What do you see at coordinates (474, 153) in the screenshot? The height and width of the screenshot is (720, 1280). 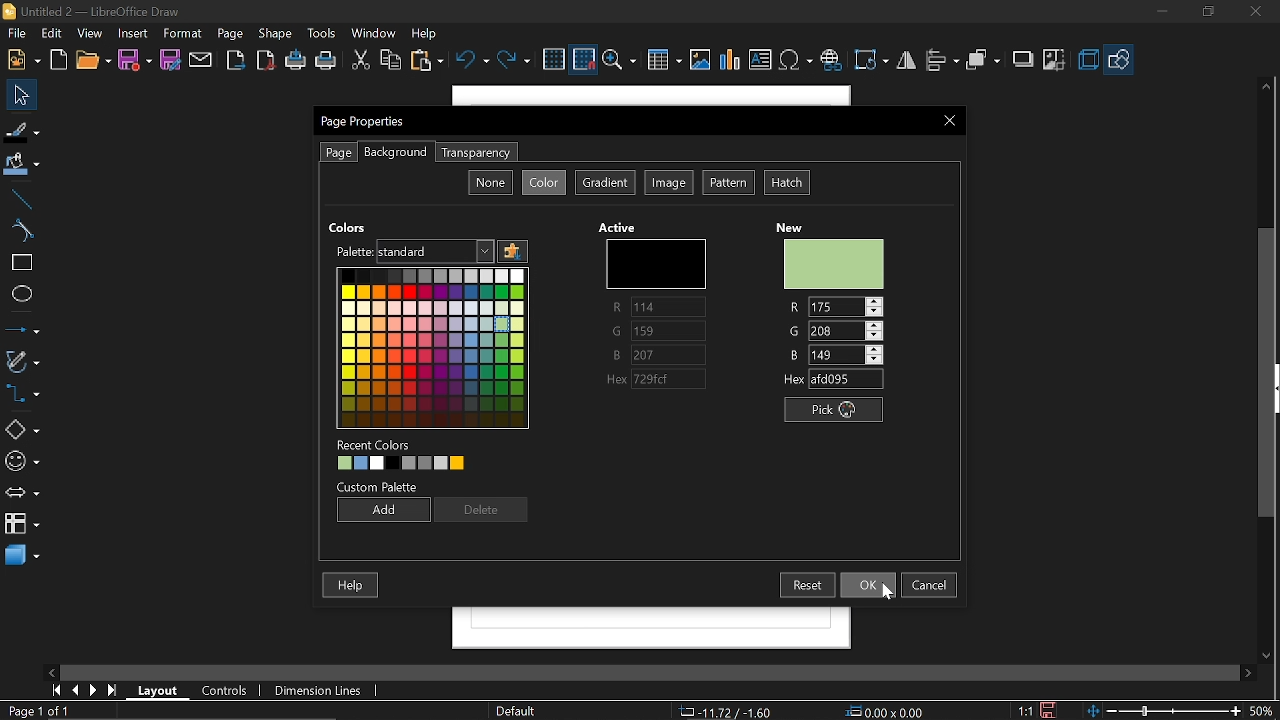 I see `Transparensy` at bounding box center [474, 153].